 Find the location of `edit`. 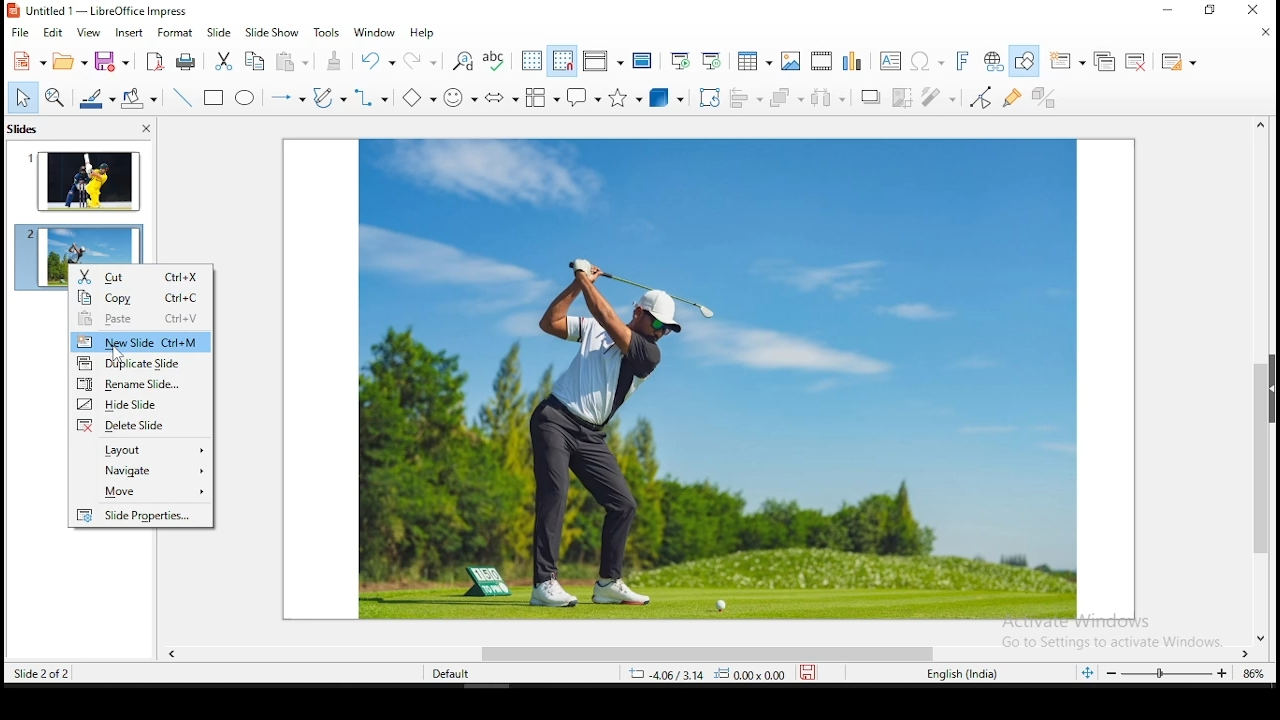

edit is located at coordinates (52, 35).